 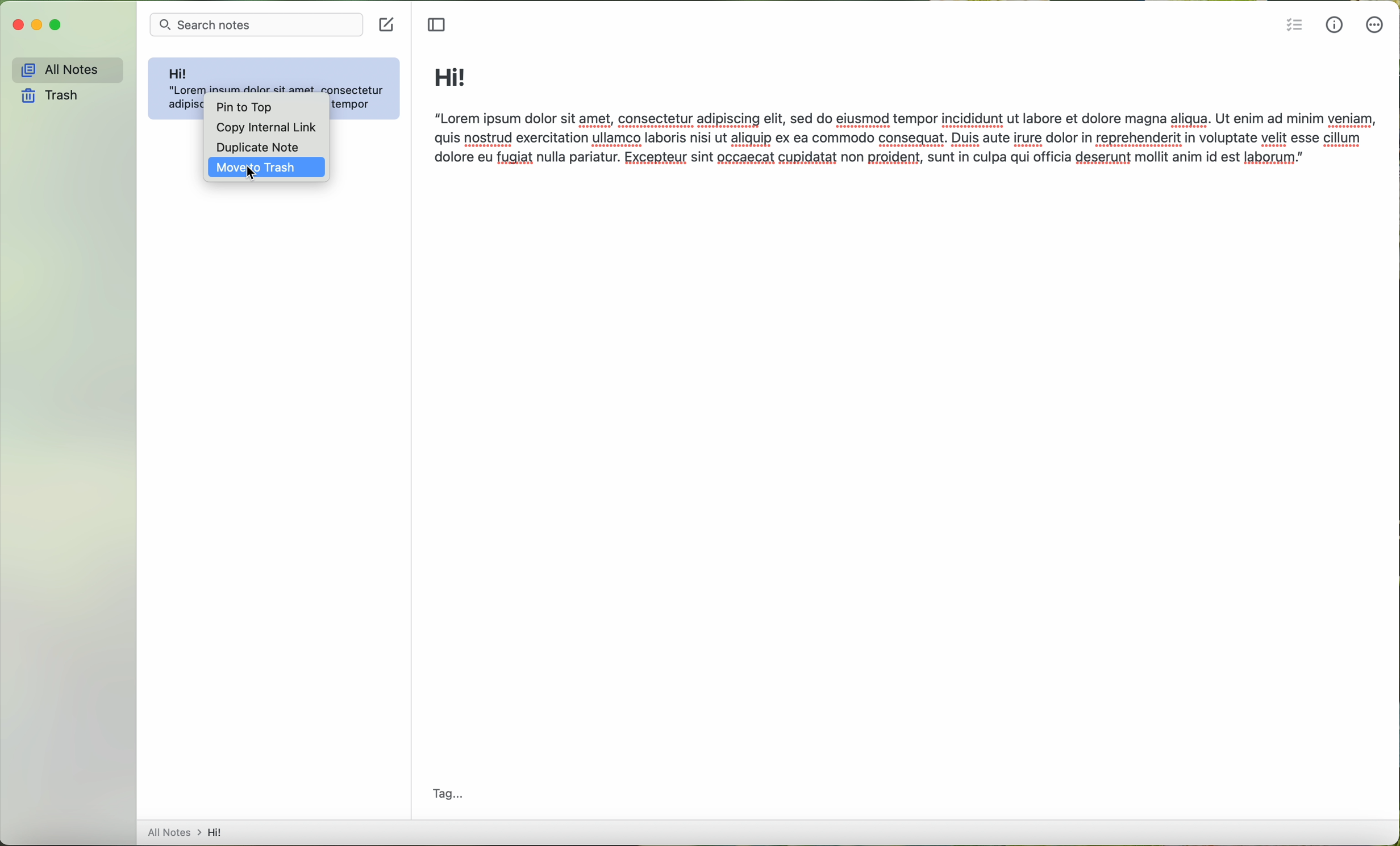 I want to click on search notes, so click(x=256, y=25).